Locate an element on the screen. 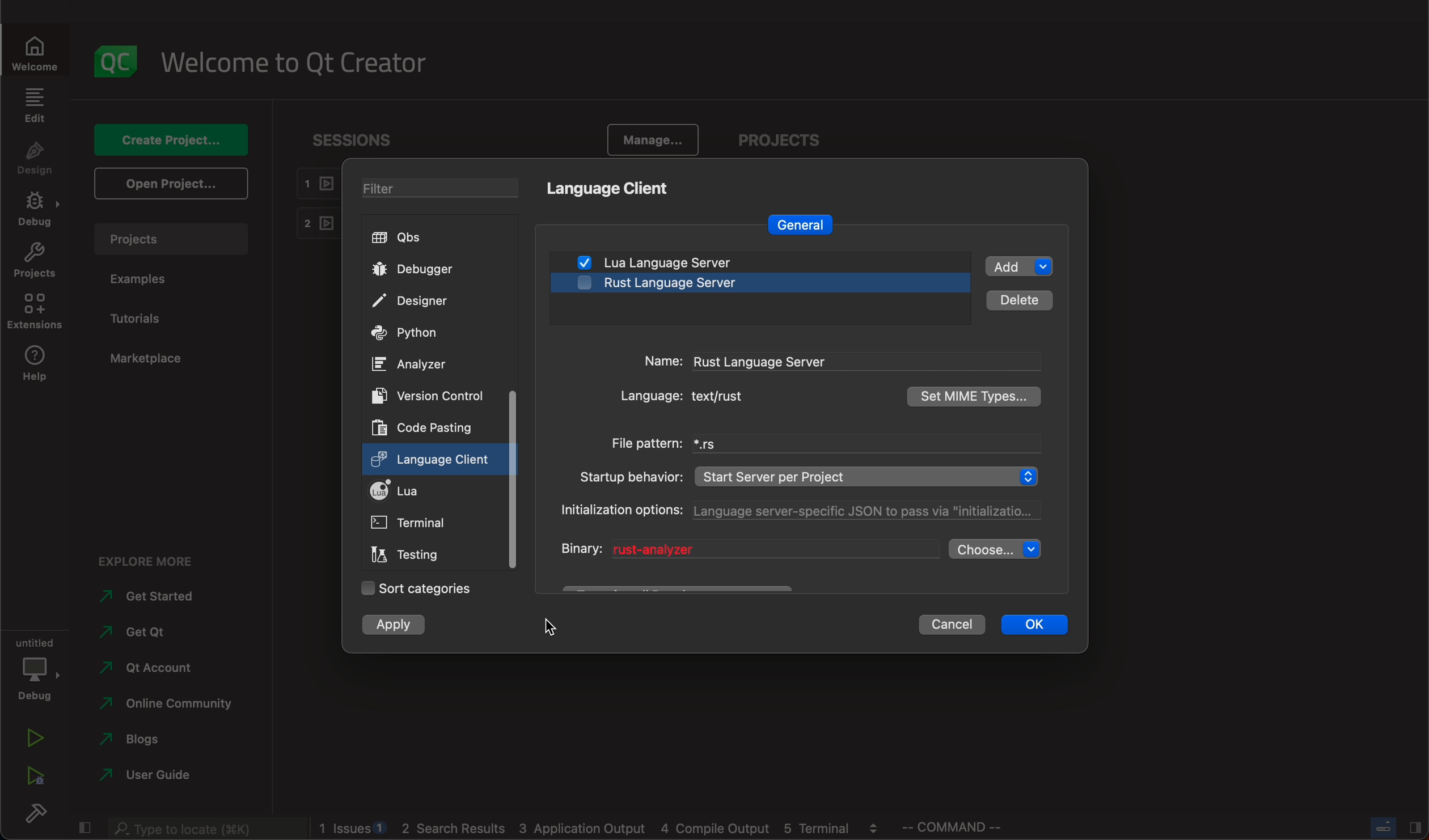  projects is located at coordinates (35, 261).